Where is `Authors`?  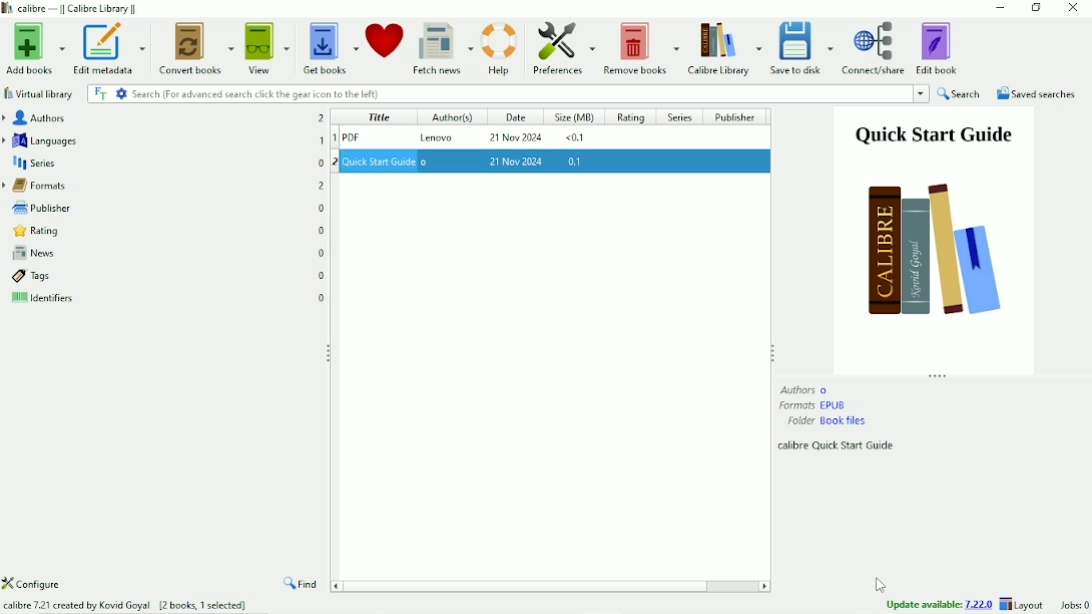
Authors is located at coordinates (162, 117).